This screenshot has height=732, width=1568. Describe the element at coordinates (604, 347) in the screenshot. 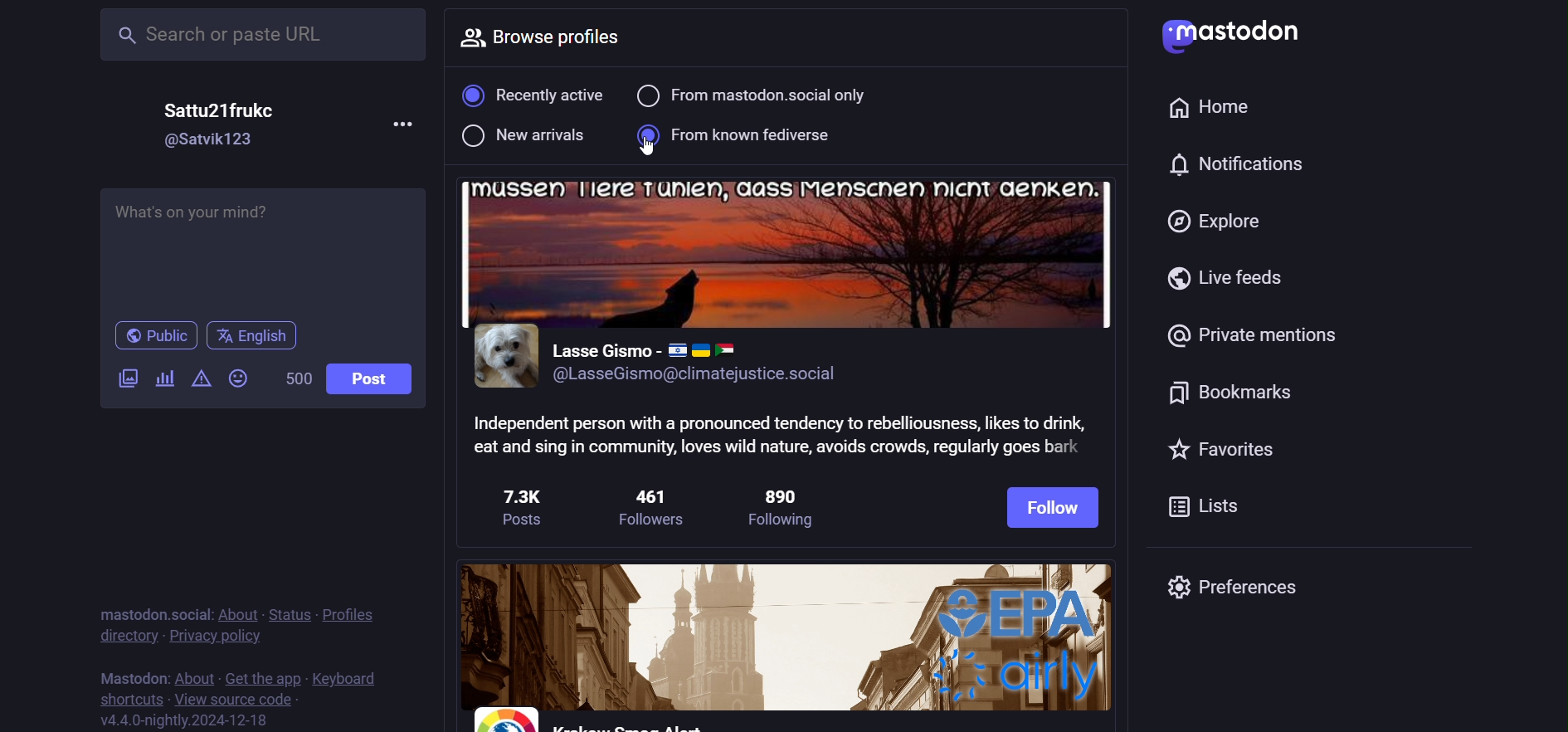

I see `Lasse Gismo ` at that location.